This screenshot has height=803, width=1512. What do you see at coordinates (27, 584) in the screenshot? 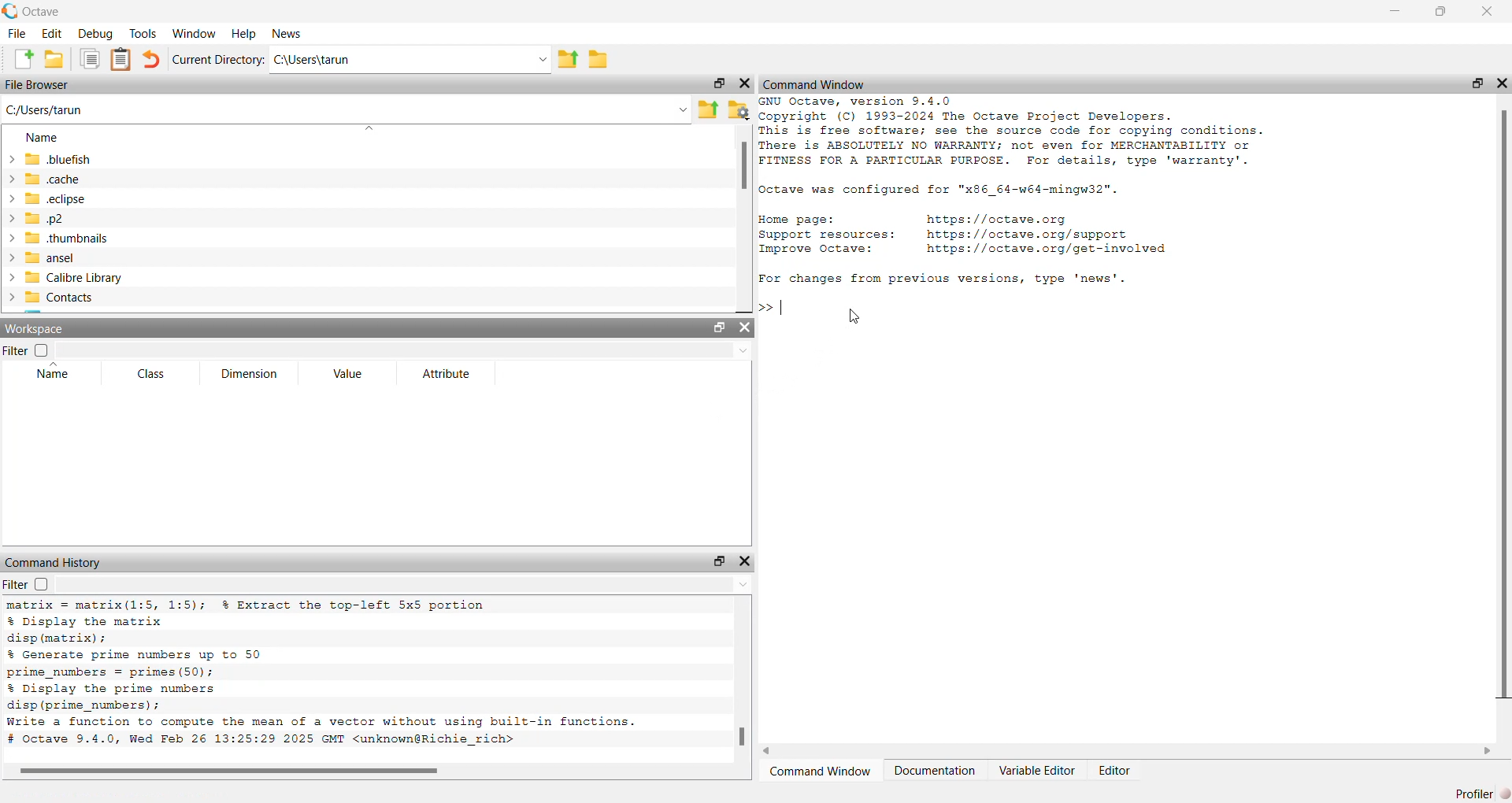
I see `filter` at bounding box center [27, 584].